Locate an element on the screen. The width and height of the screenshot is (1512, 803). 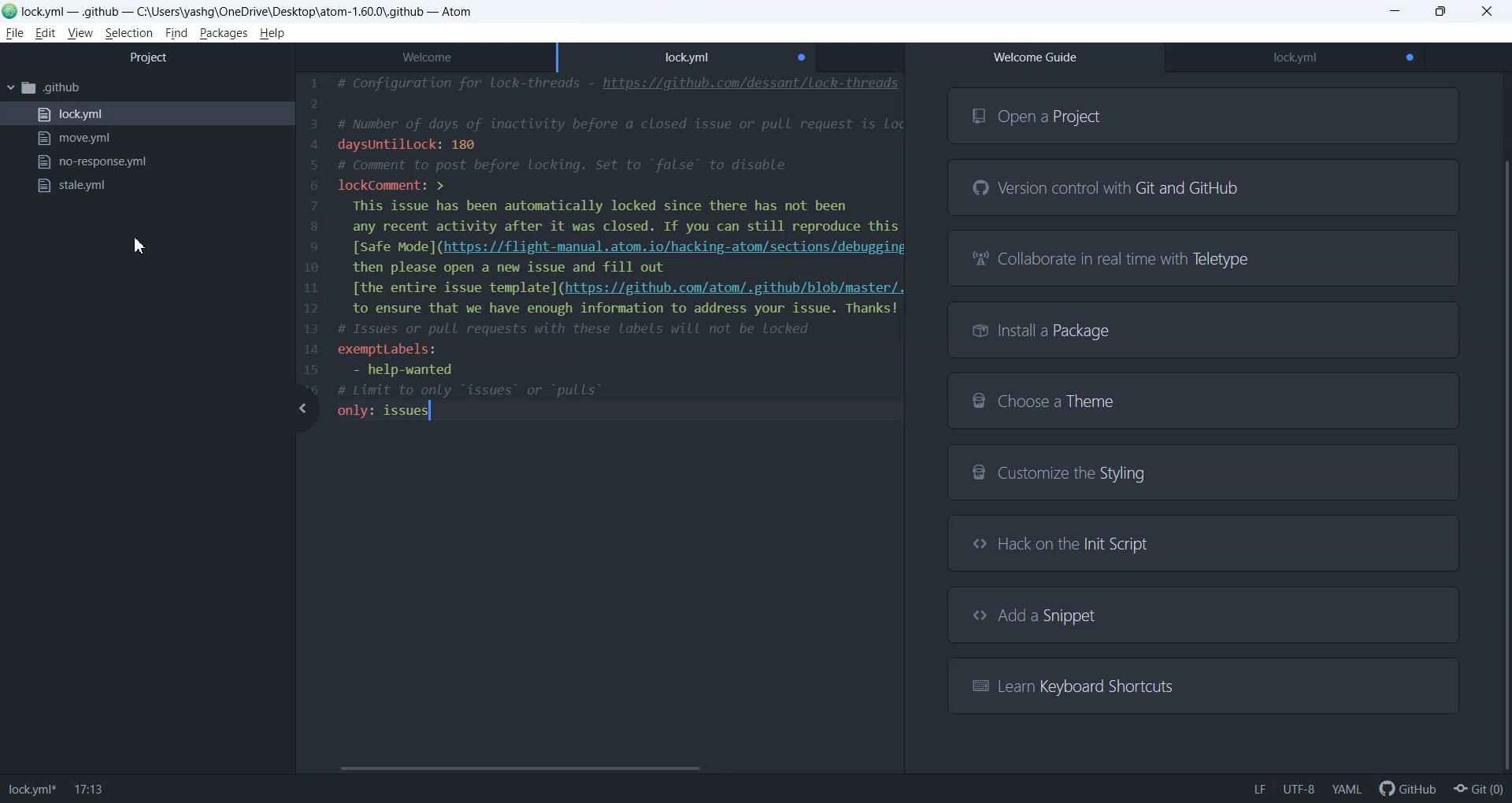
Cursor is located at coordinates (137, 246).